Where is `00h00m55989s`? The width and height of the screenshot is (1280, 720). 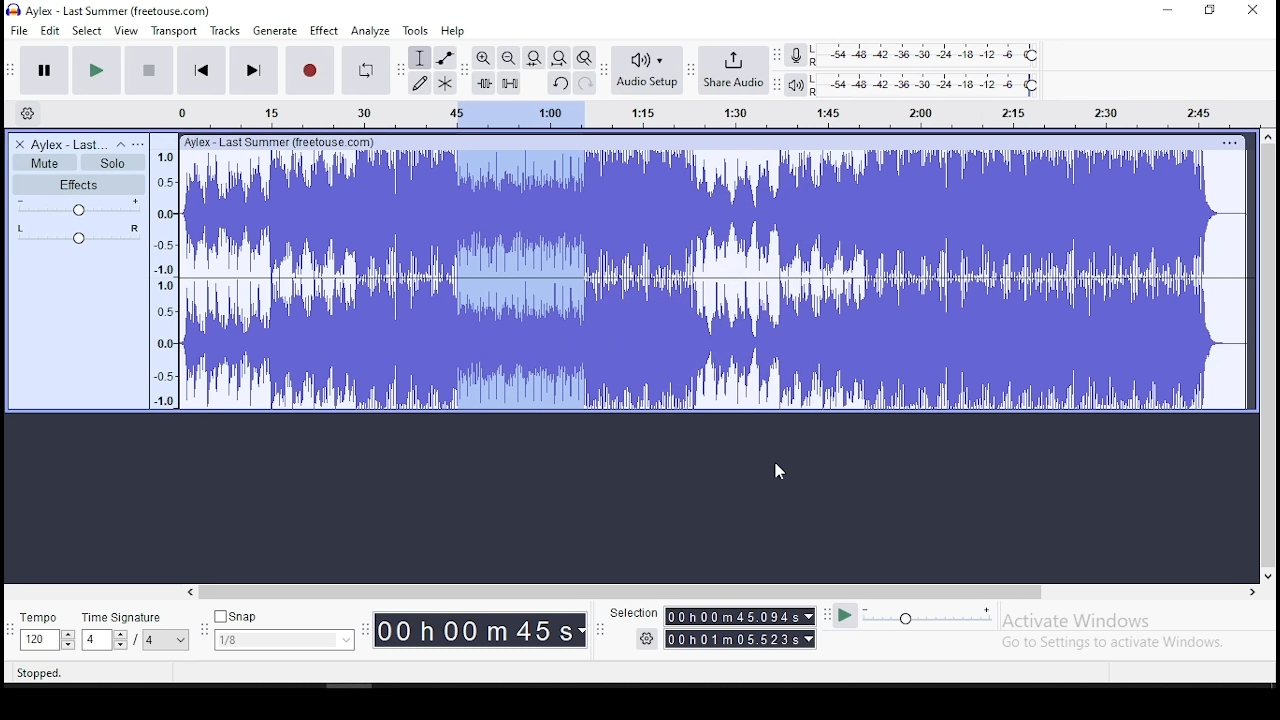 00h00m55989s is located at coordinates (741, 640).